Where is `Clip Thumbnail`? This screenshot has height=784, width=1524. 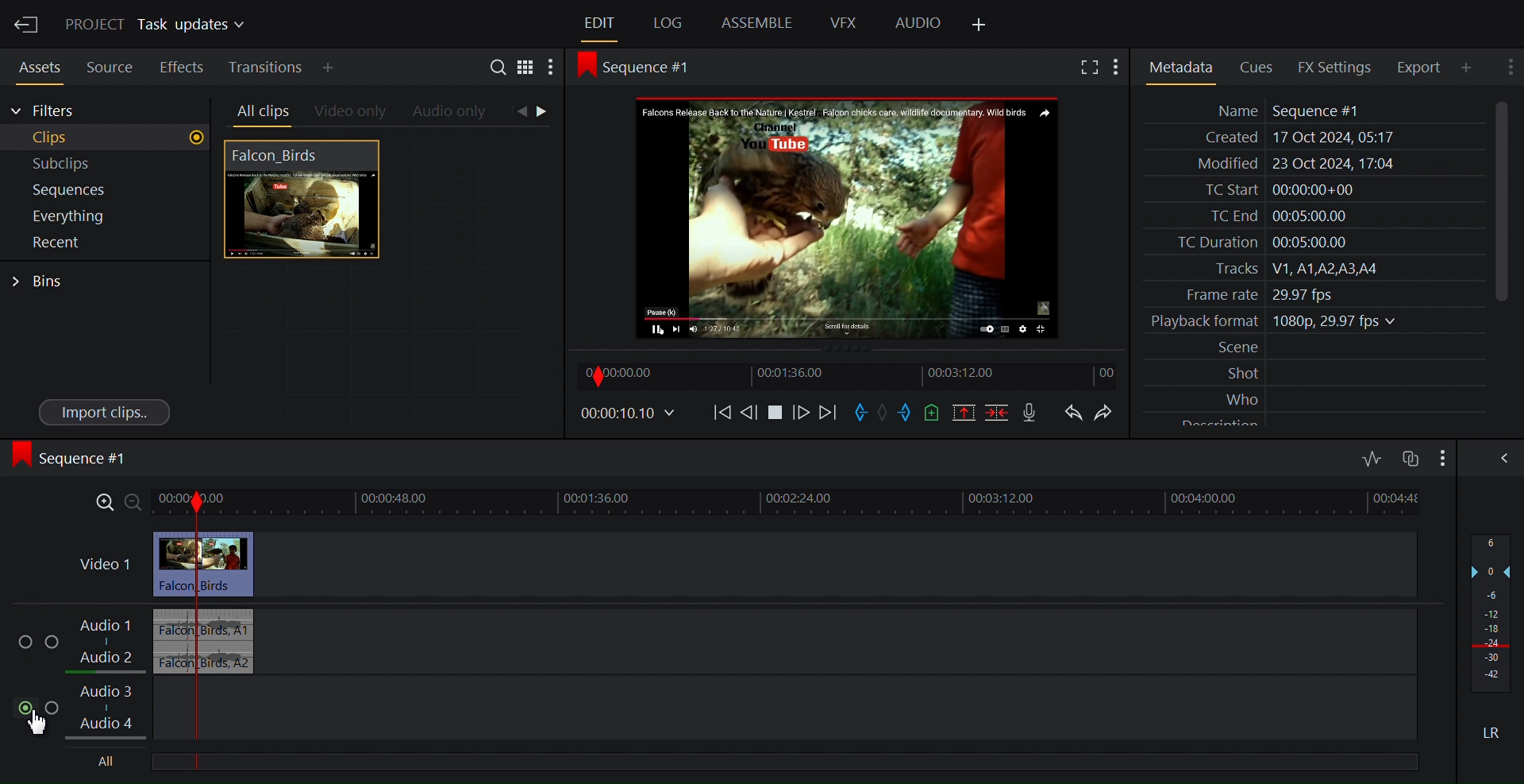 Clip Thumbnail is located at coordinates (383, 285).